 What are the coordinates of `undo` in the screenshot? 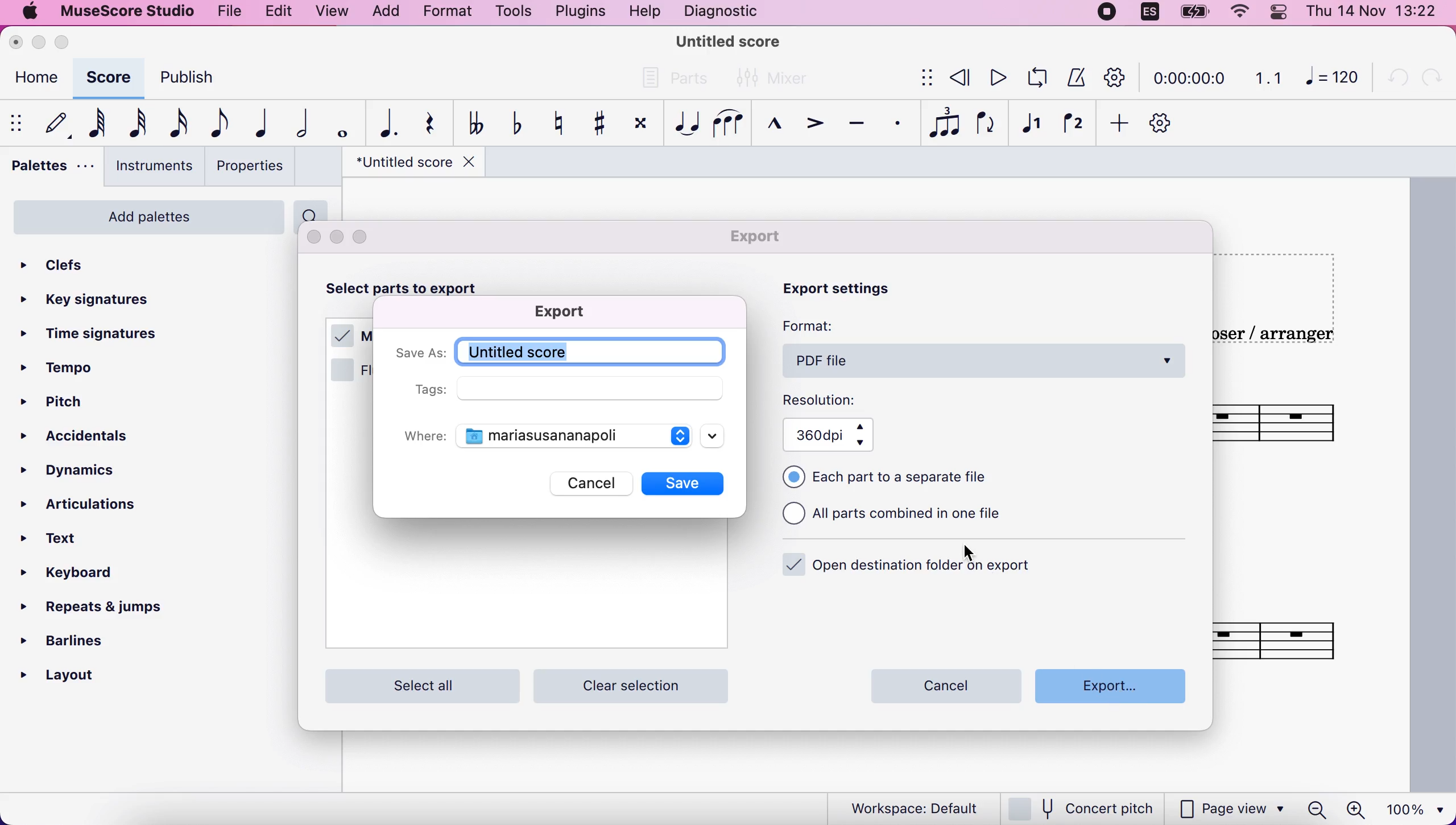 It's located at (1398, 80).